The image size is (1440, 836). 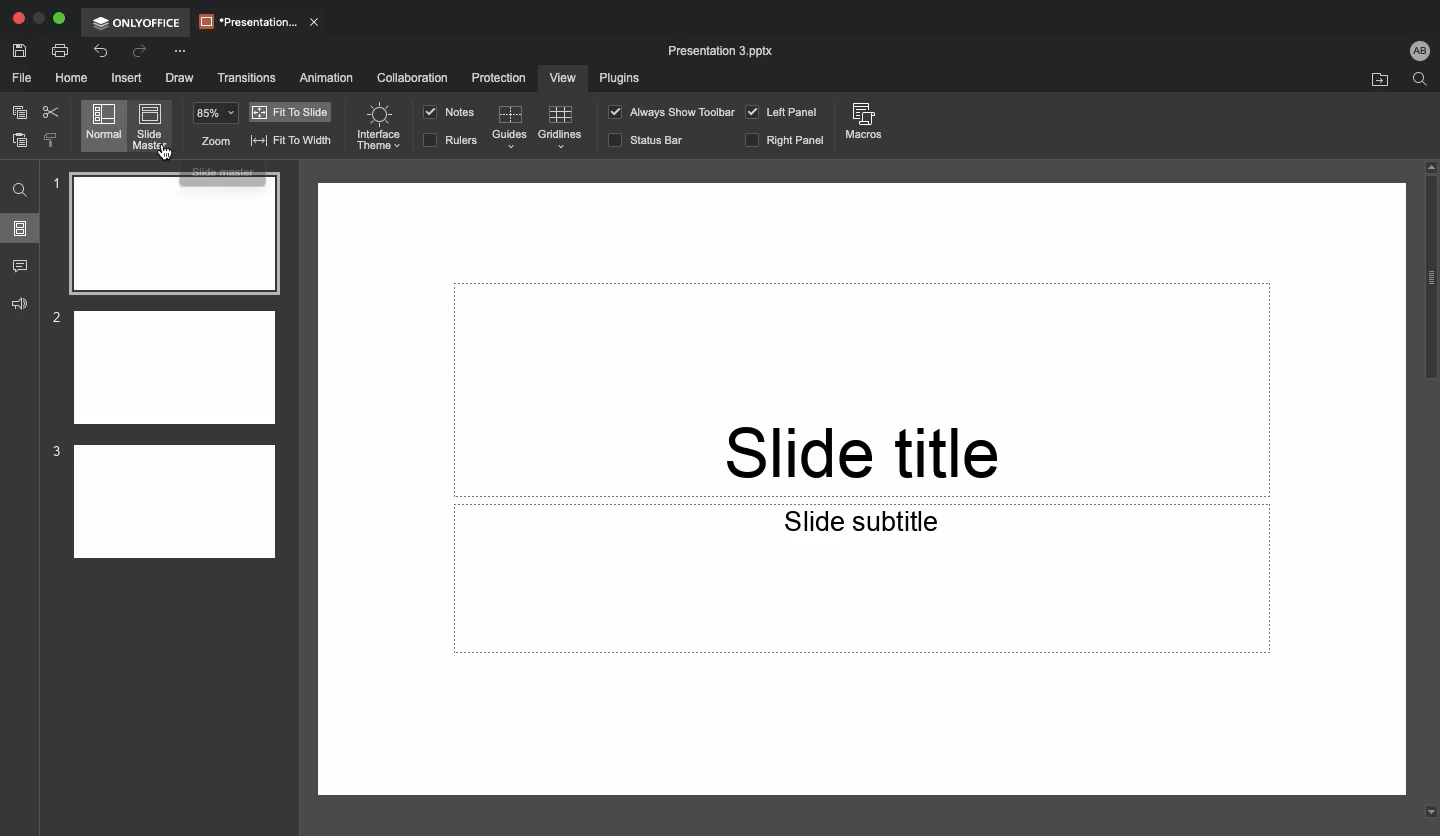 What do you see at coordinates (126, 76) in the screenshot?
I see `Insert` at bounding box center [126, 76].